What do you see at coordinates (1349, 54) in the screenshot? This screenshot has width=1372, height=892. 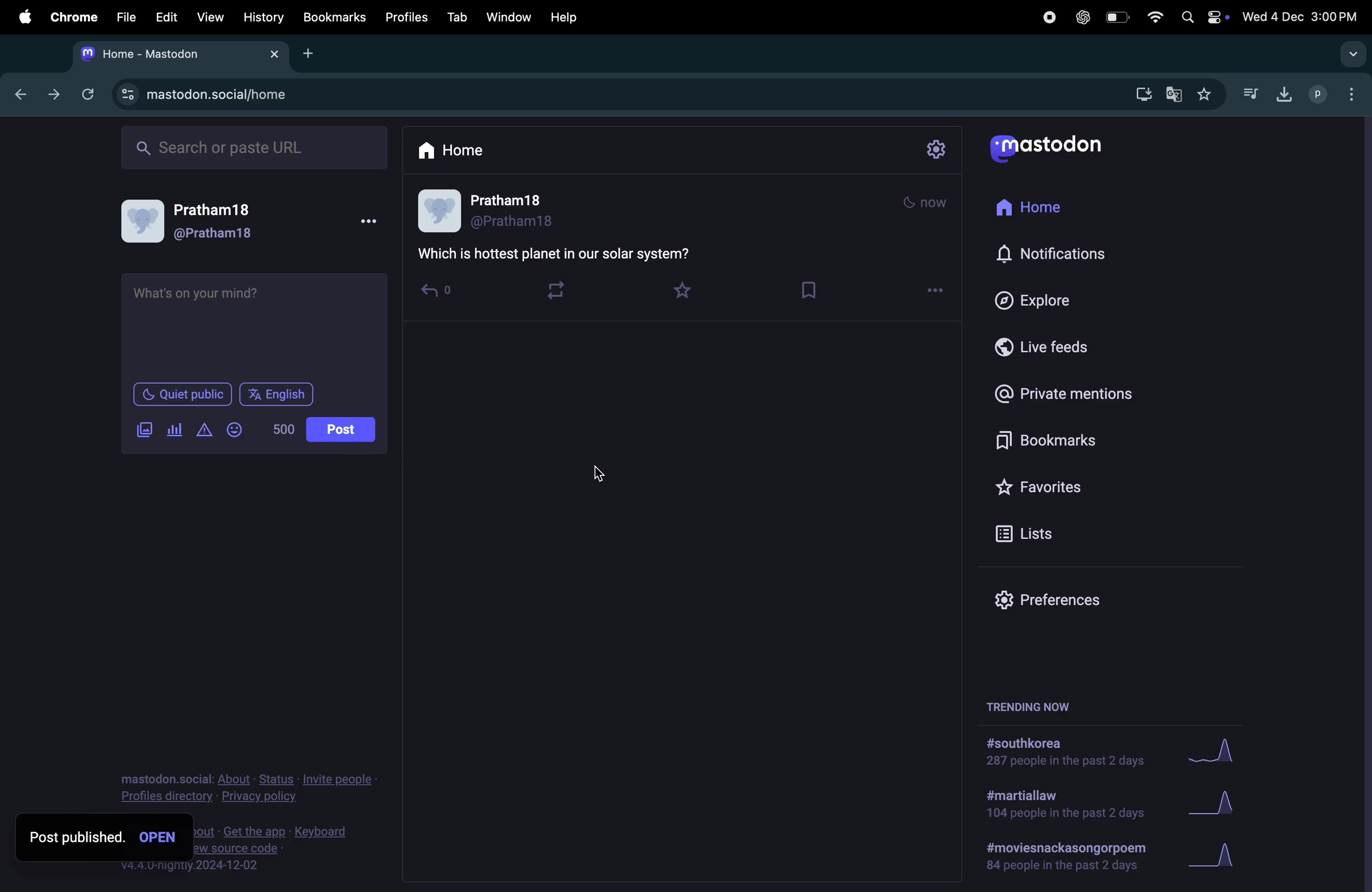 I see `drop down` at bounding box center [1349, 54].